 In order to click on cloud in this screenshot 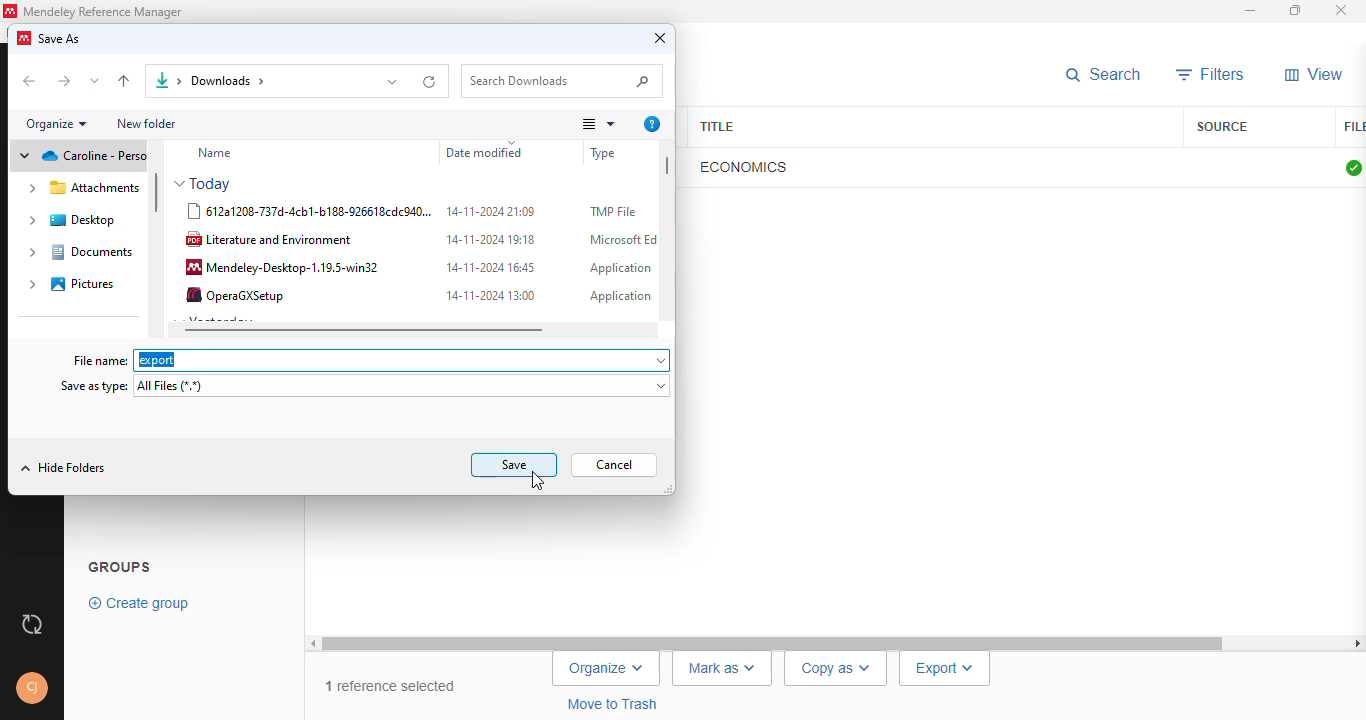, I will do `click(79, 155)`.